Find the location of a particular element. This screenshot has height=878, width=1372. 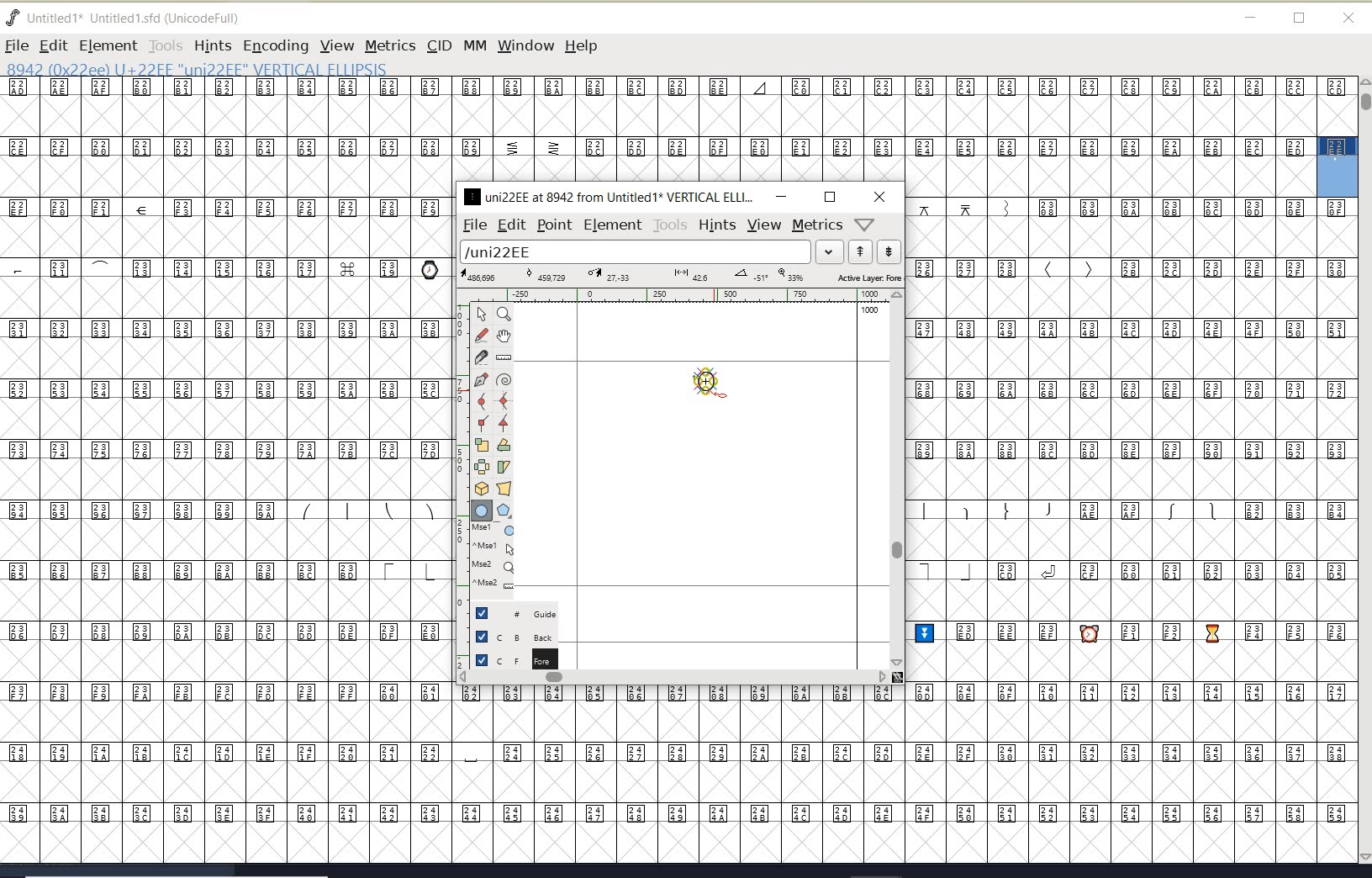

rotate the selection is located at coordinates (504, 445).